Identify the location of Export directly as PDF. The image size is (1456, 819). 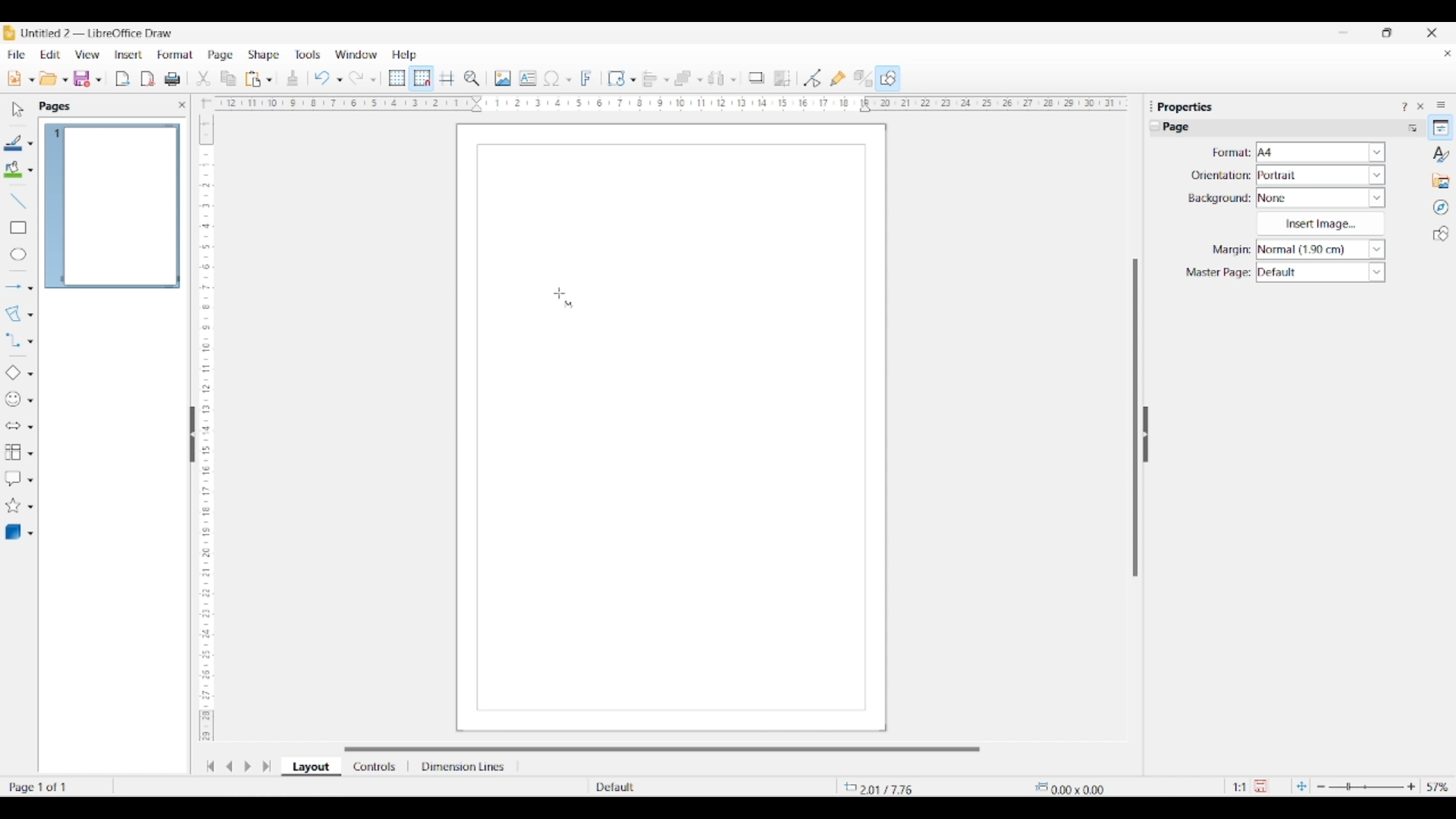
(148, 80).